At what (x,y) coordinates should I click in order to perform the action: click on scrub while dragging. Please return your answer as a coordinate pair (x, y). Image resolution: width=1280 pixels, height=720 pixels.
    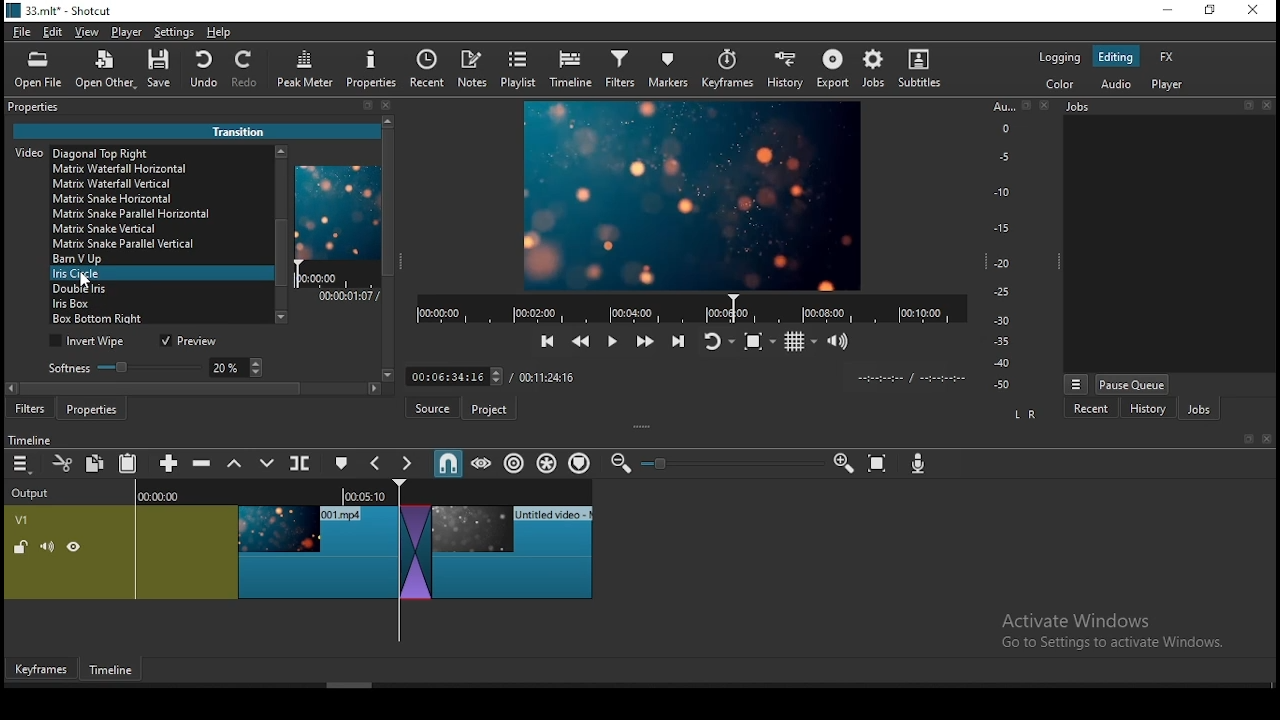
    Looking at the image, I should click on (483, 464).